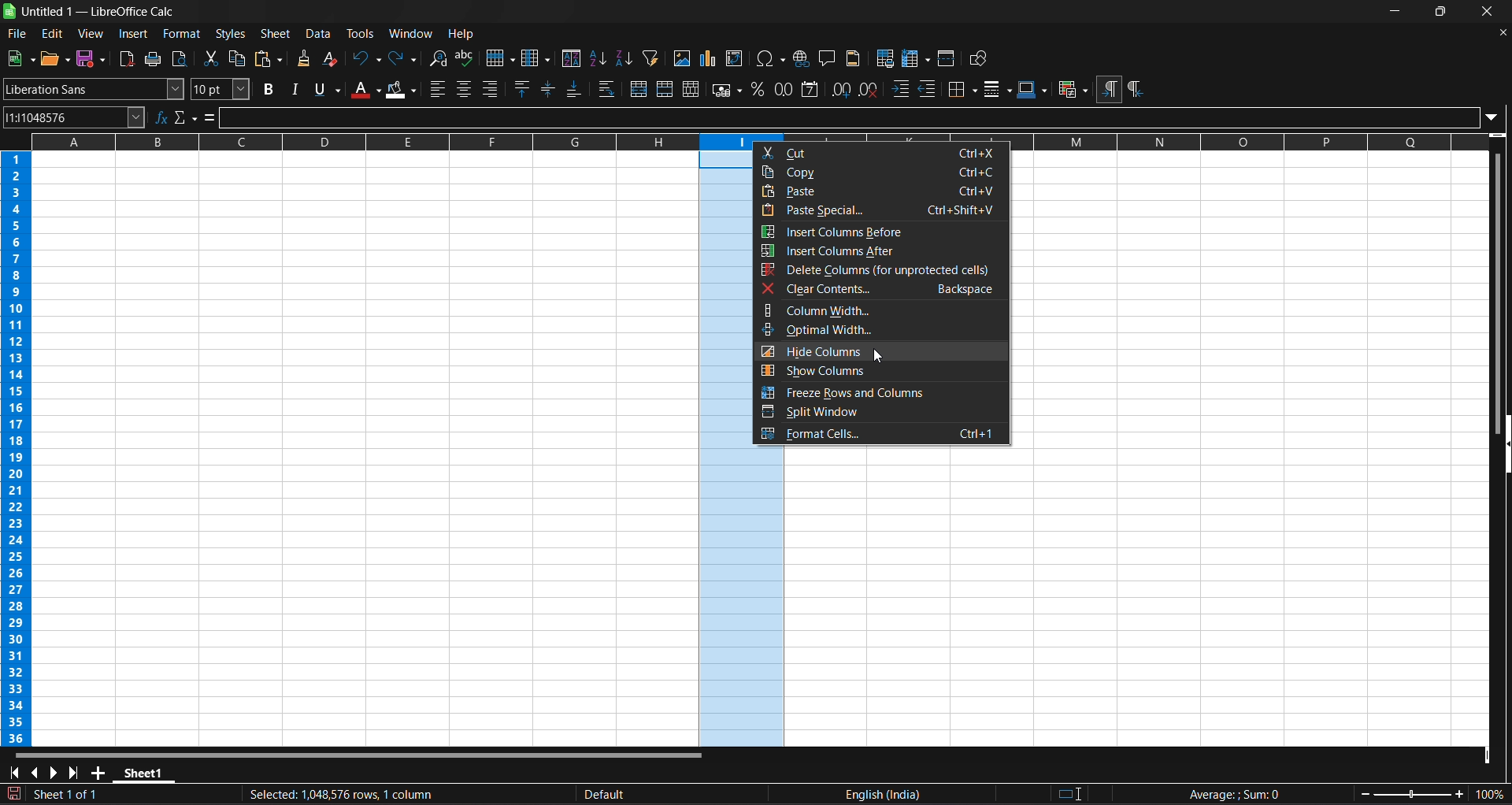 This screenshot has height=805, width=1512. What do you see at coordinates (762, 90) in the screenshot?
I see `format as percen` at bounding box center [762, 90].